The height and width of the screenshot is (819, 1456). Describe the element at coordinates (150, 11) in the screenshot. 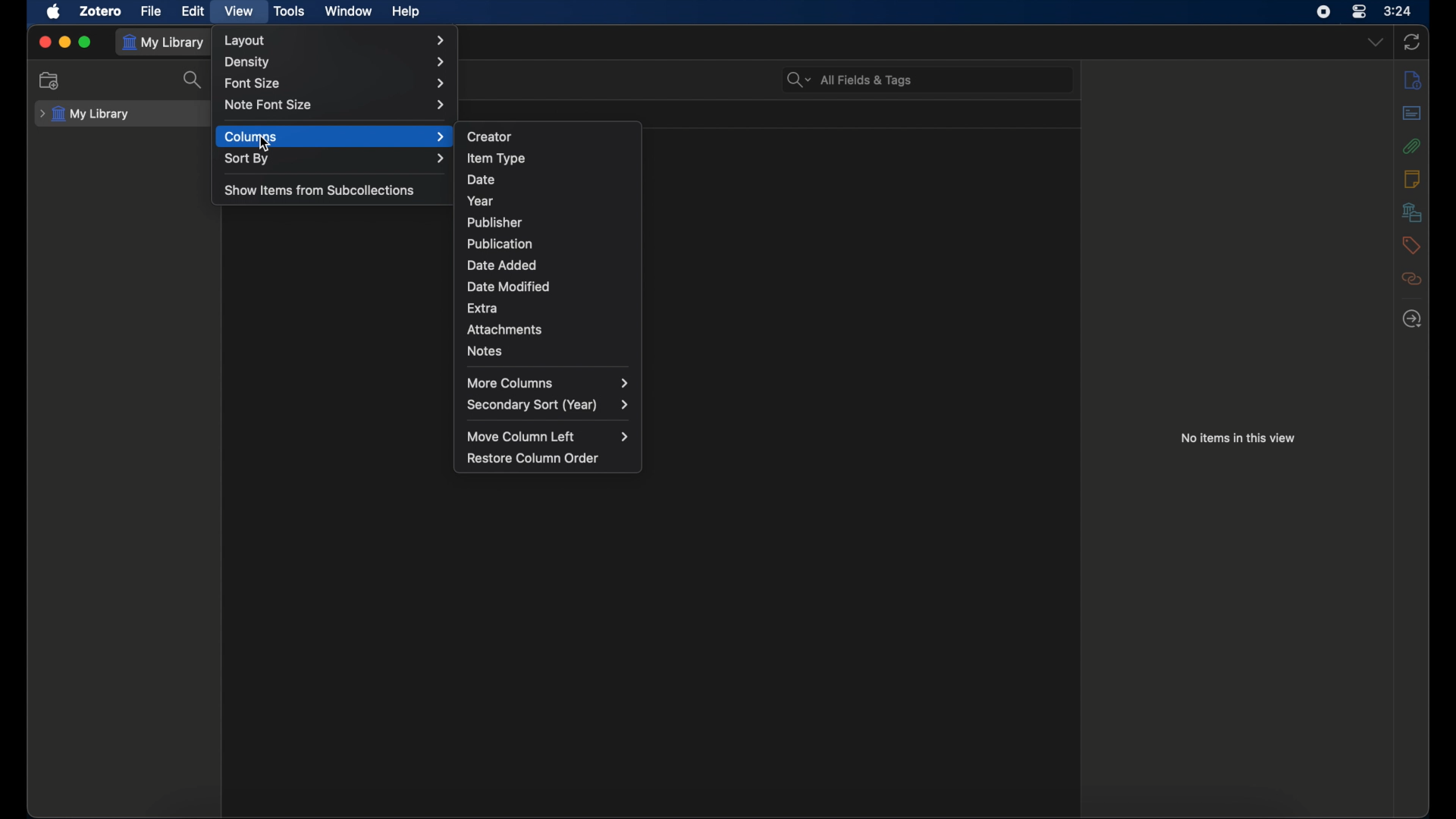

I see `file` at that location.